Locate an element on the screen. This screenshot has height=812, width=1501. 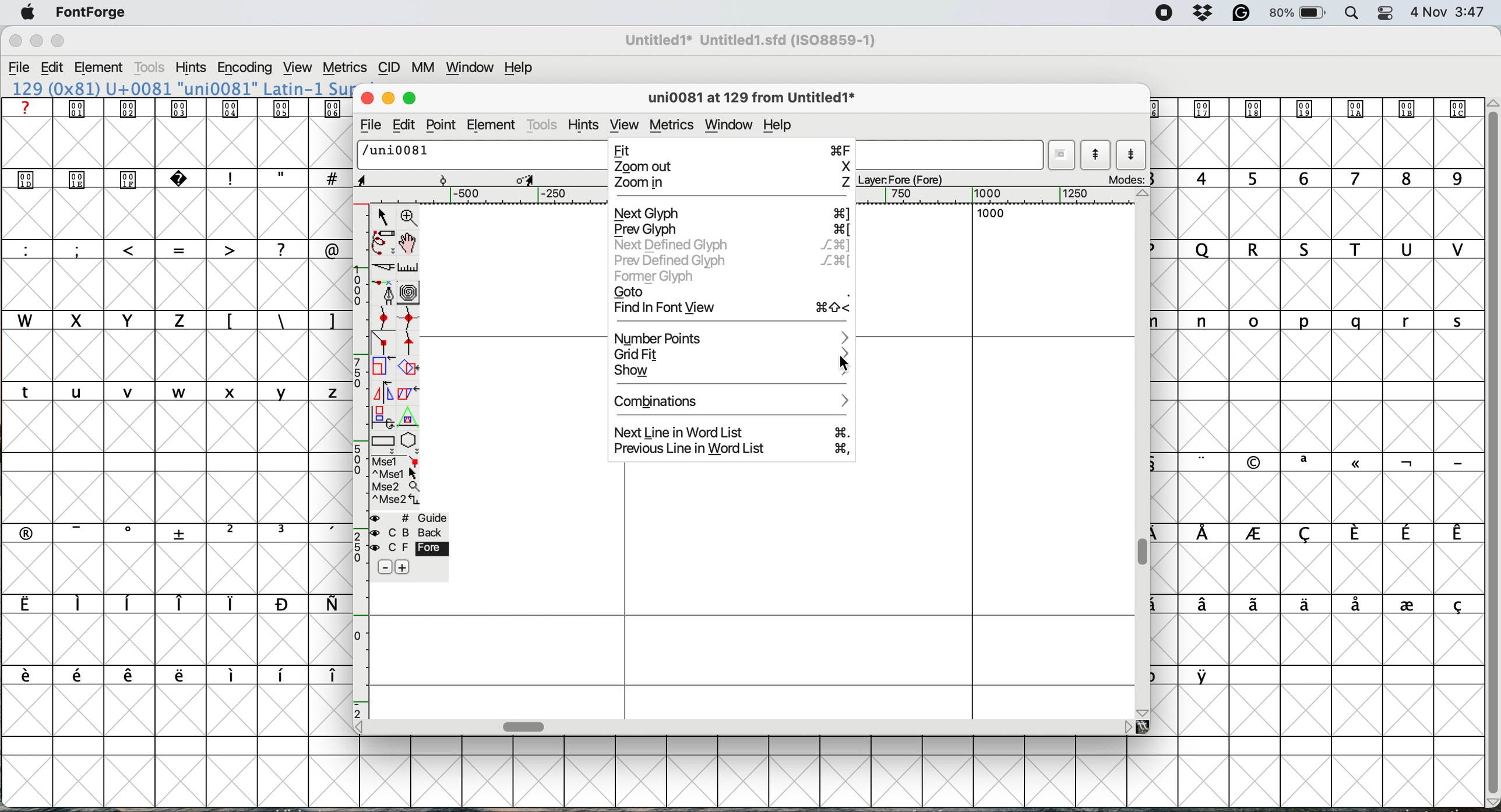
file is located at coordinates (372, 124).